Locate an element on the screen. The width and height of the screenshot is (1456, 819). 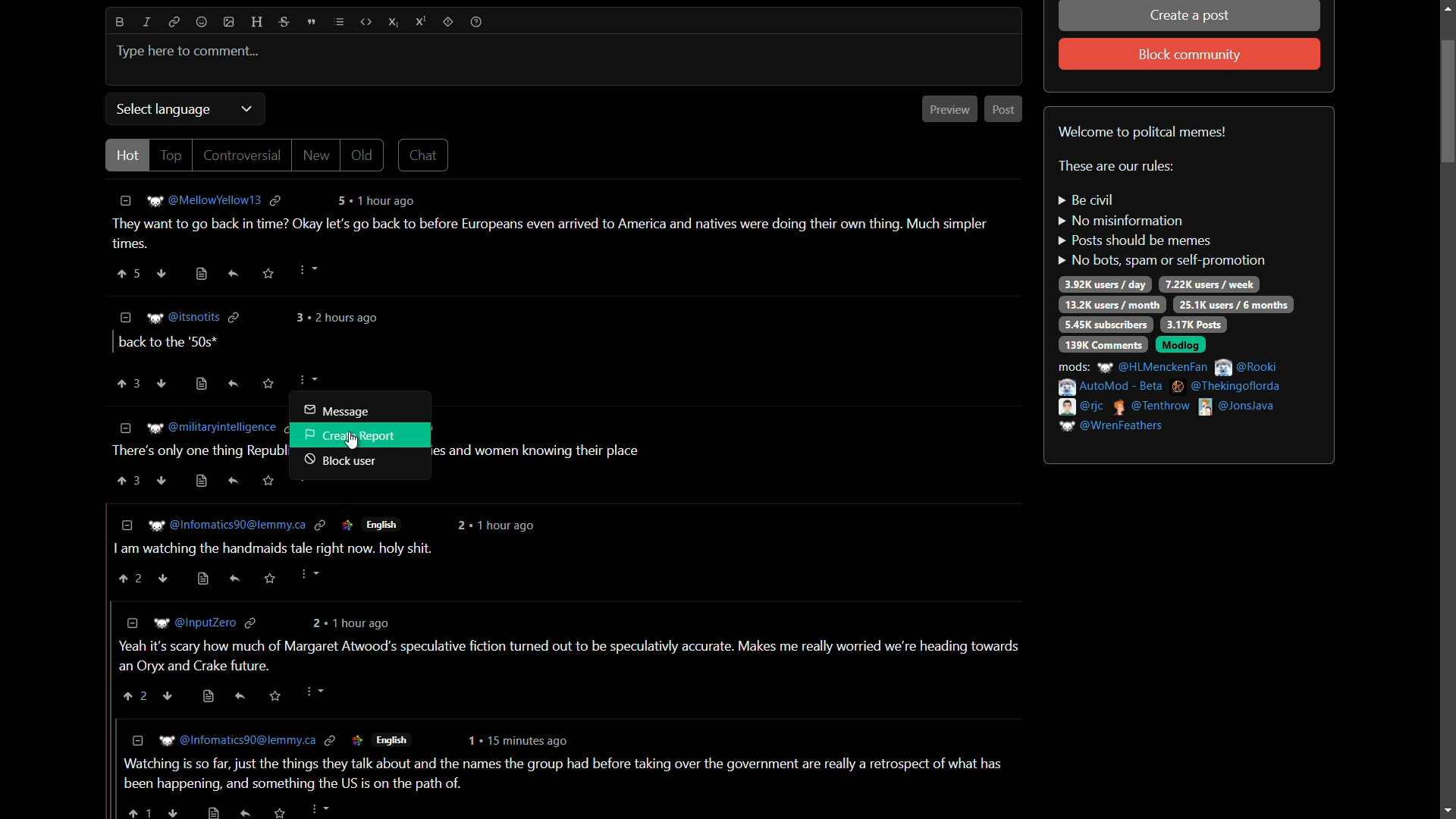
emoji is located at coordinates (202, 23).